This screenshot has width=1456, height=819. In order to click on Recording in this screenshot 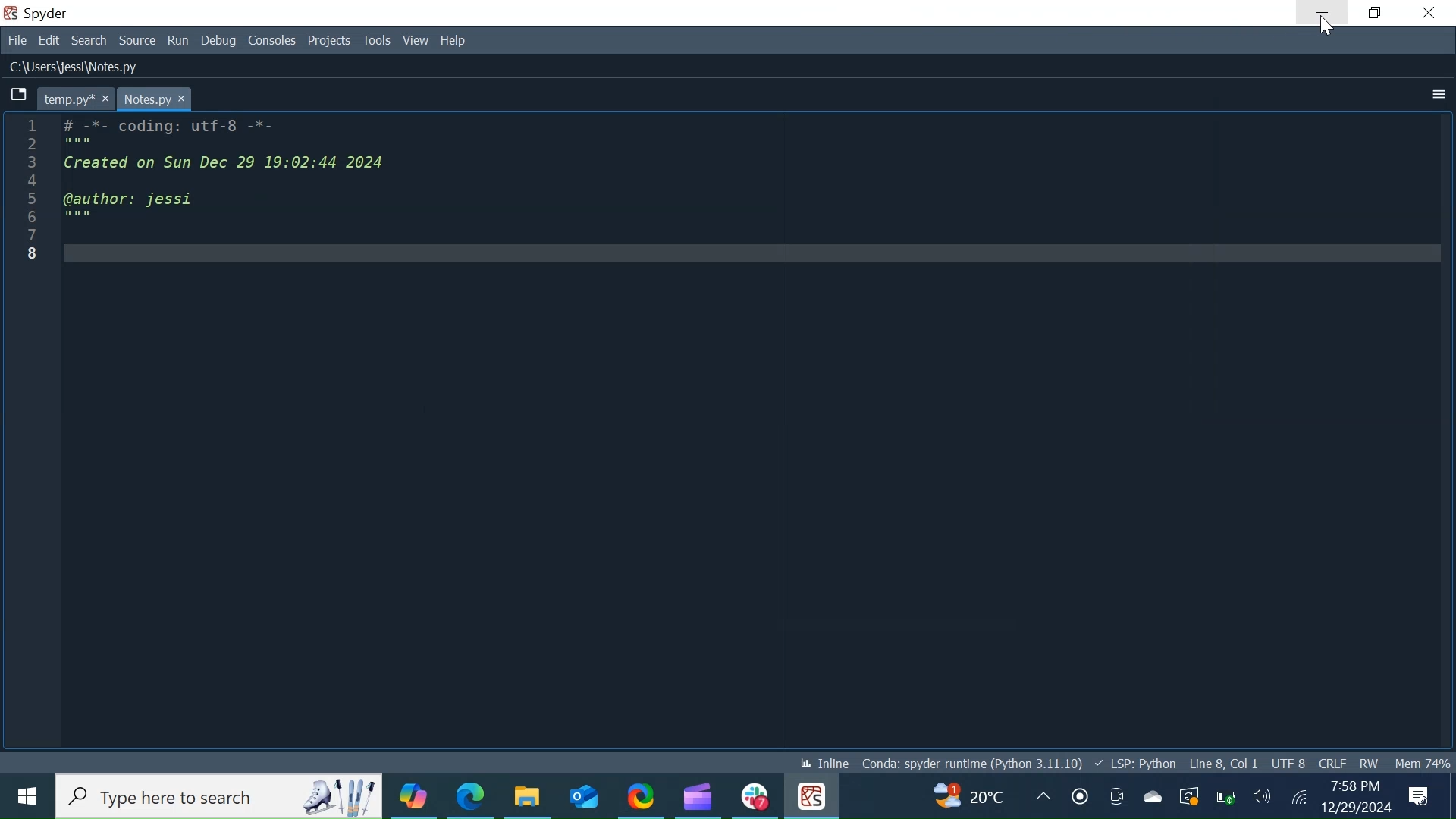, I will do `click(1079, 795)`.